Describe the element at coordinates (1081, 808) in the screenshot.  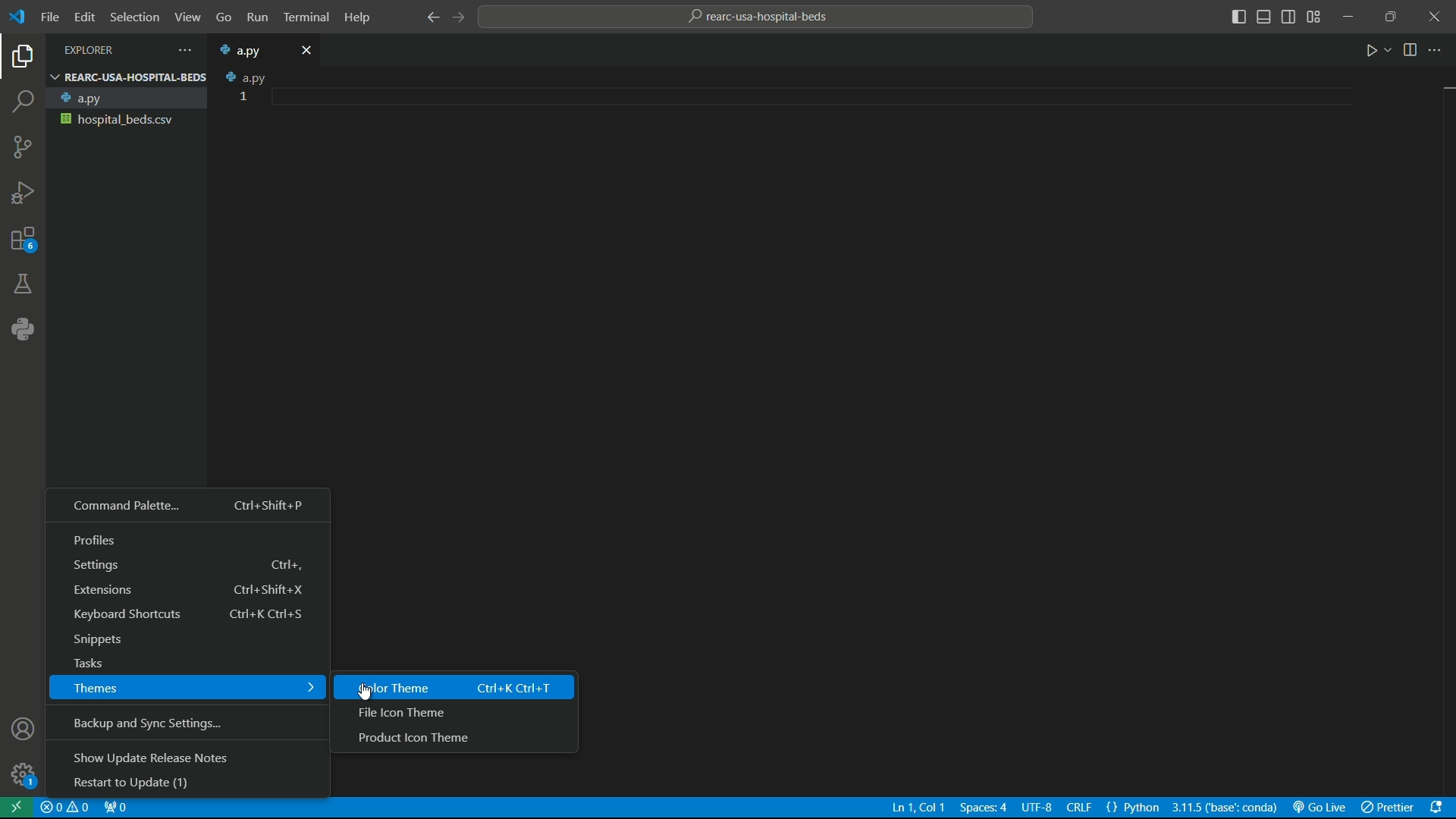
I see `select end of line sequence` at that location.